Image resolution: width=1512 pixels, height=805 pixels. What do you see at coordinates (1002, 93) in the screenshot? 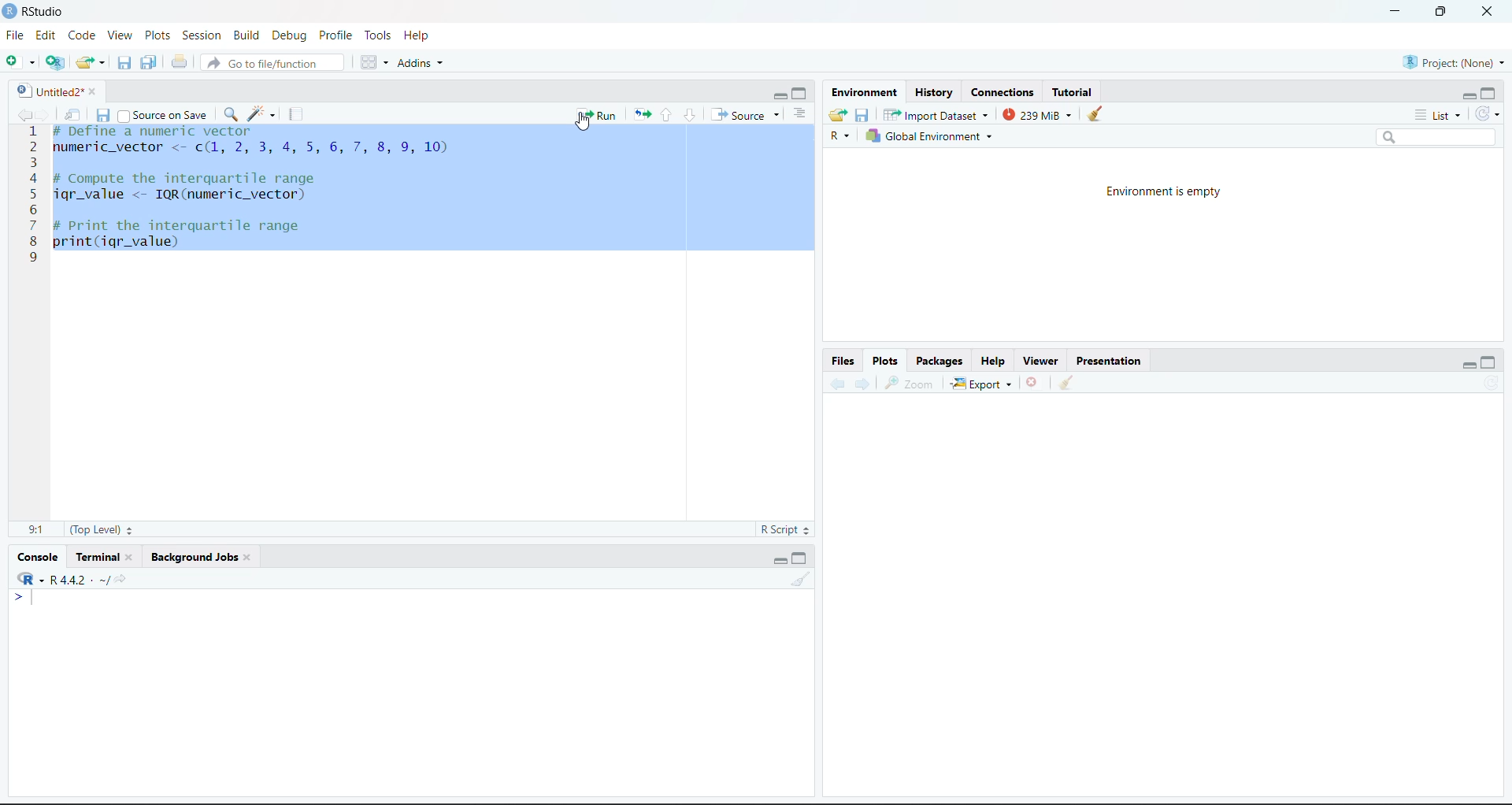
I see `Connections` at bounding box center [1002, 93].